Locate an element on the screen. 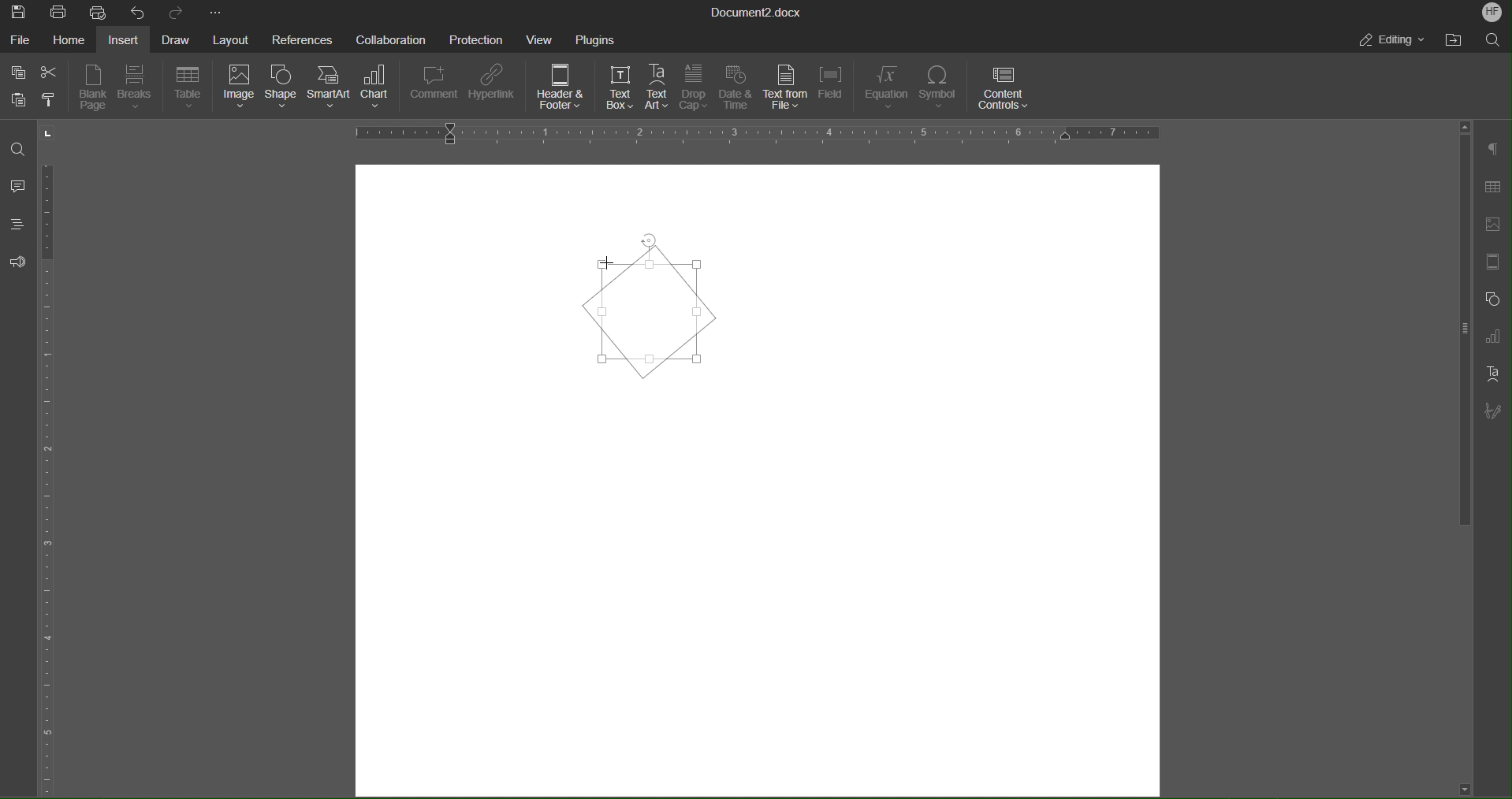 This screenshot has height=799, width=1512. Date & Time is located at coordinates (736, 88).